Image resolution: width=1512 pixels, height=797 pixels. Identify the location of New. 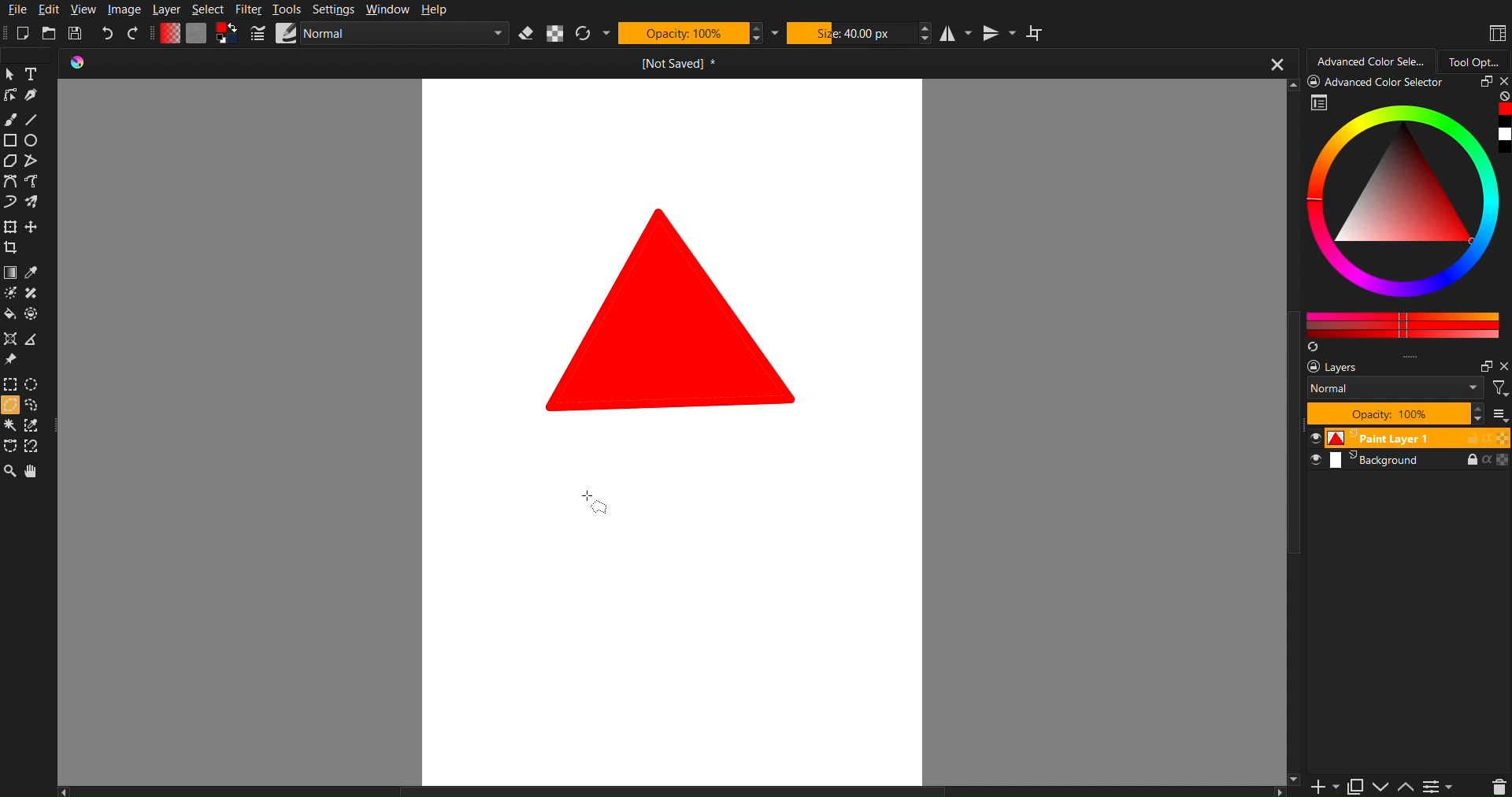
(22, 33).